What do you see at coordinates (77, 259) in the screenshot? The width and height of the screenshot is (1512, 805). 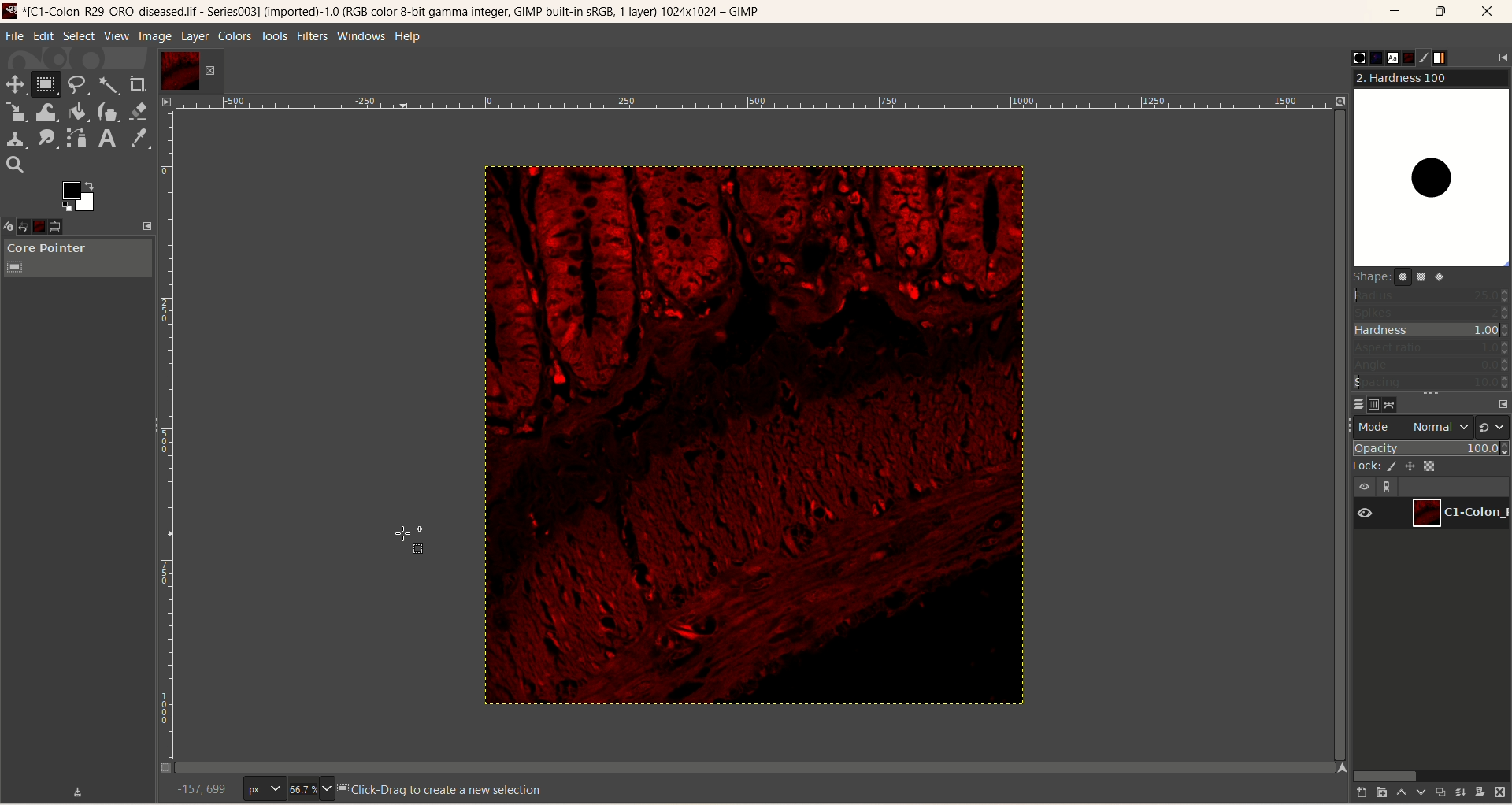 I see `core pointer` at bounding box center [77, 259].